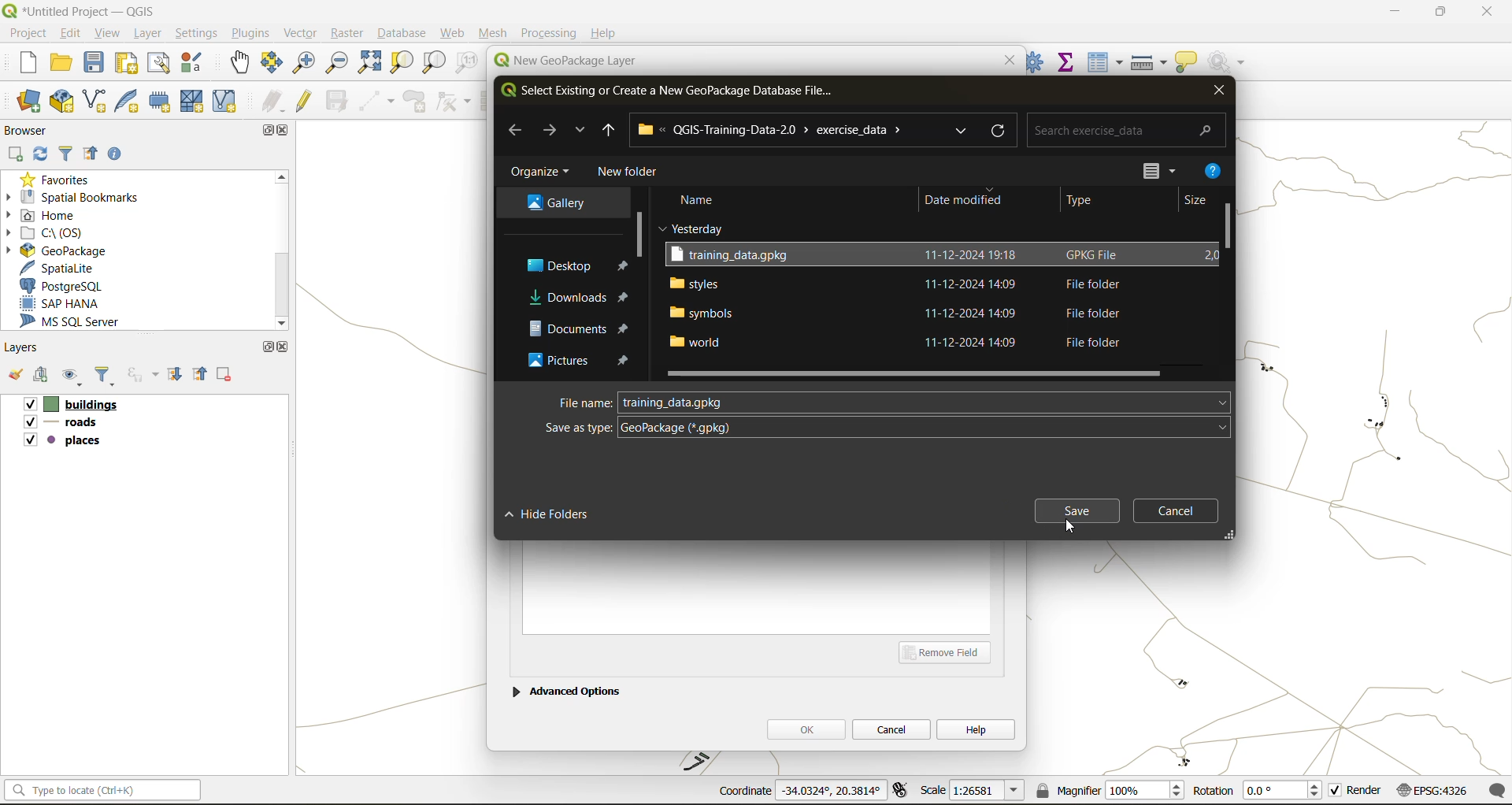  I want to click on save as type(GeoPackage - *.gpkg), so click(884, 428).